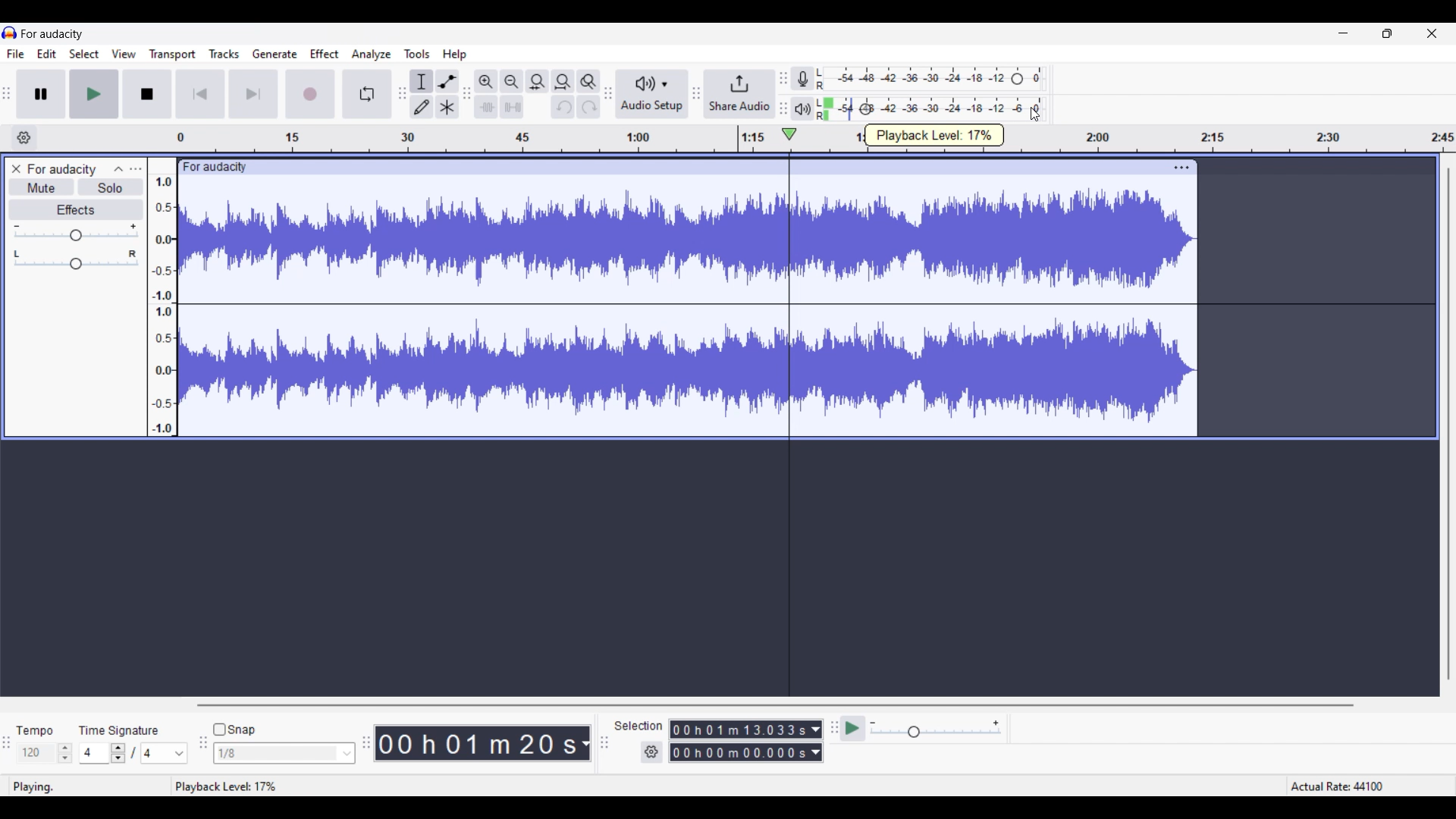 The width and height of the screenshot is (1456, 819). What do you see at coordinates (42, 187) in the screenshot?
I see `Mute` at bounding box center [42, 187].